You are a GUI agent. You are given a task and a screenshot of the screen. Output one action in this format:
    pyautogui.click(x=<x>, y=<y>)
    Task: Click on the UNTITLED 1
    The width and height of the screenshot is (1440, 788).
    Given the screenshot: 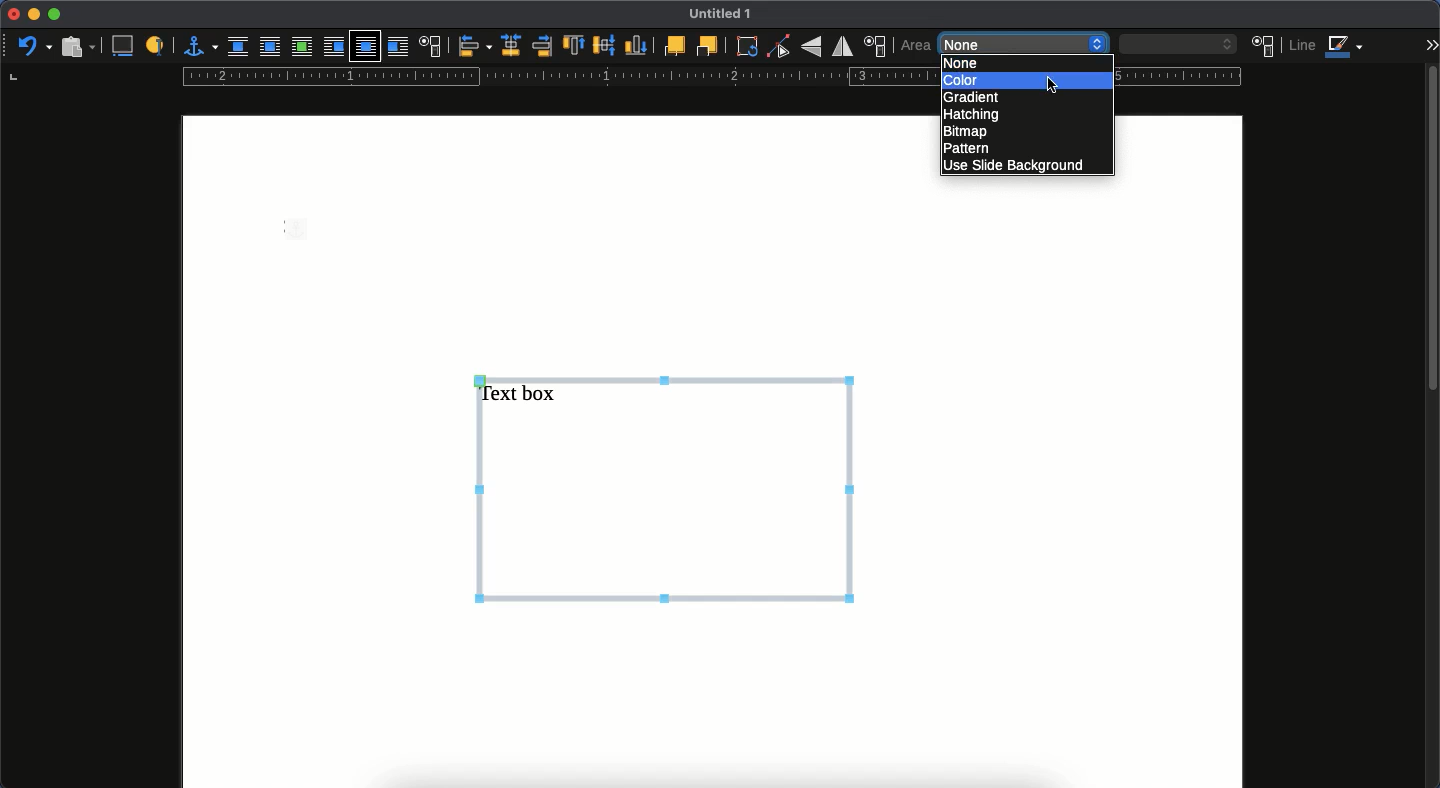 What is the action you would take?
    pyautogui.click(x=728, y=15)
    